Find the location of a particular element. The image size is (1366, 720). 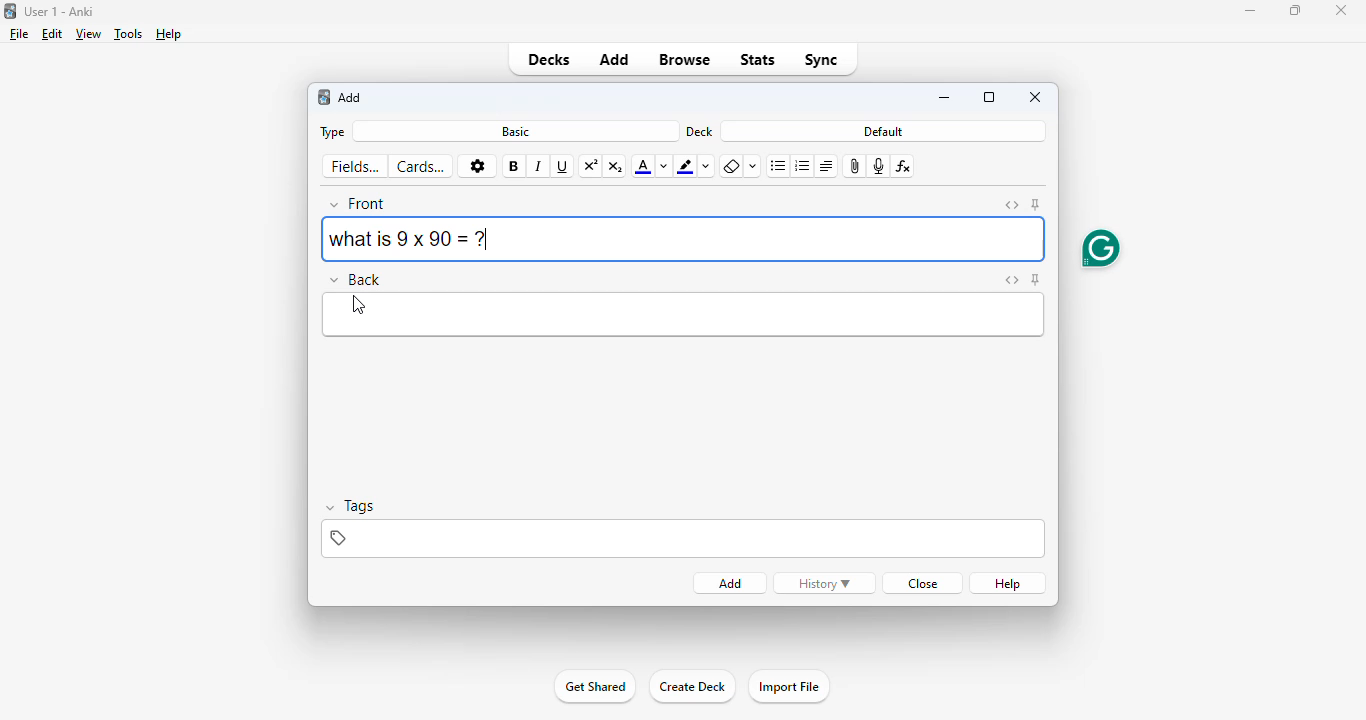

text highlight color is located at coordinates (686, 166).